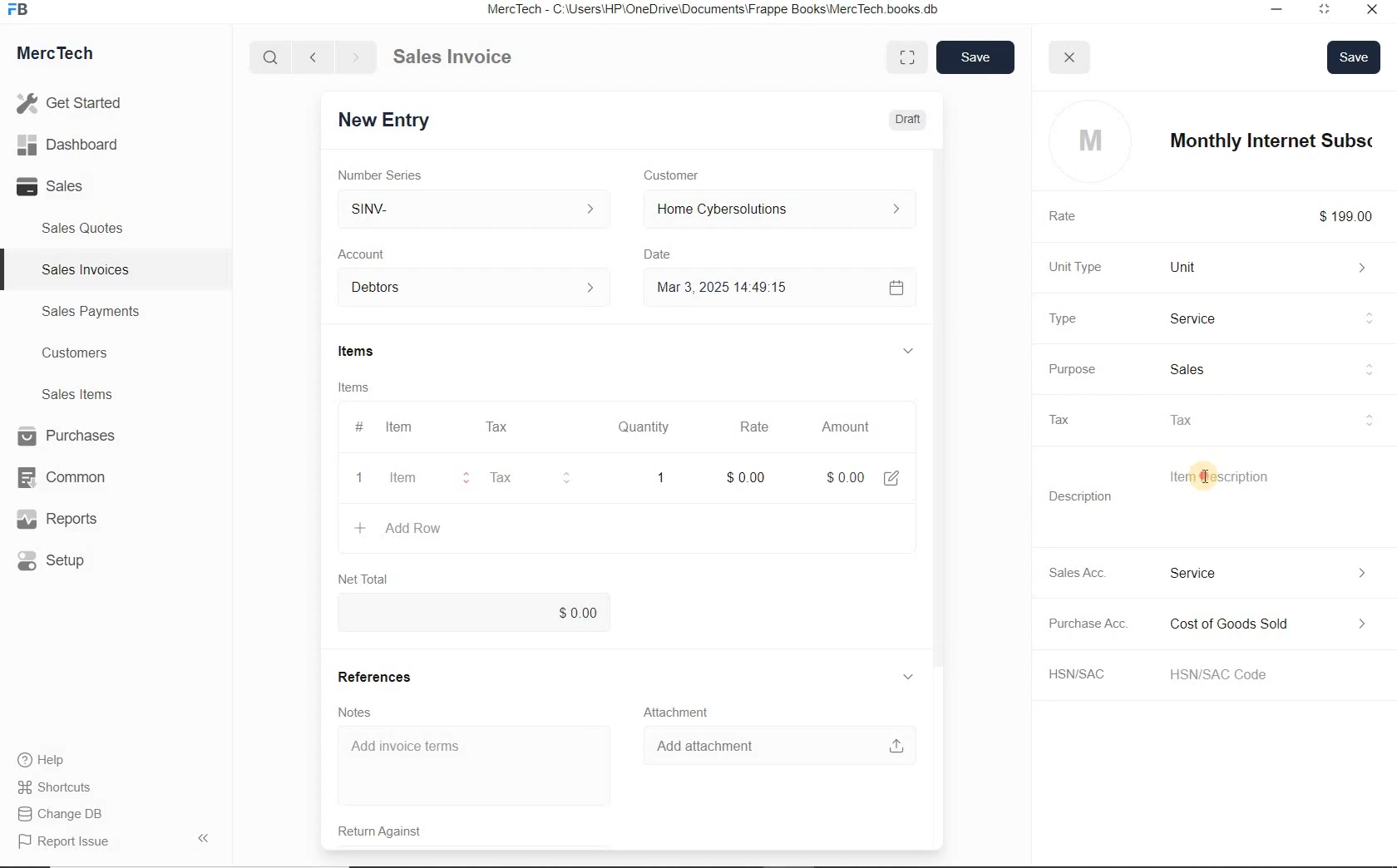 The image size is (1397, 868). I want to click on Save, so click(1355, 55).